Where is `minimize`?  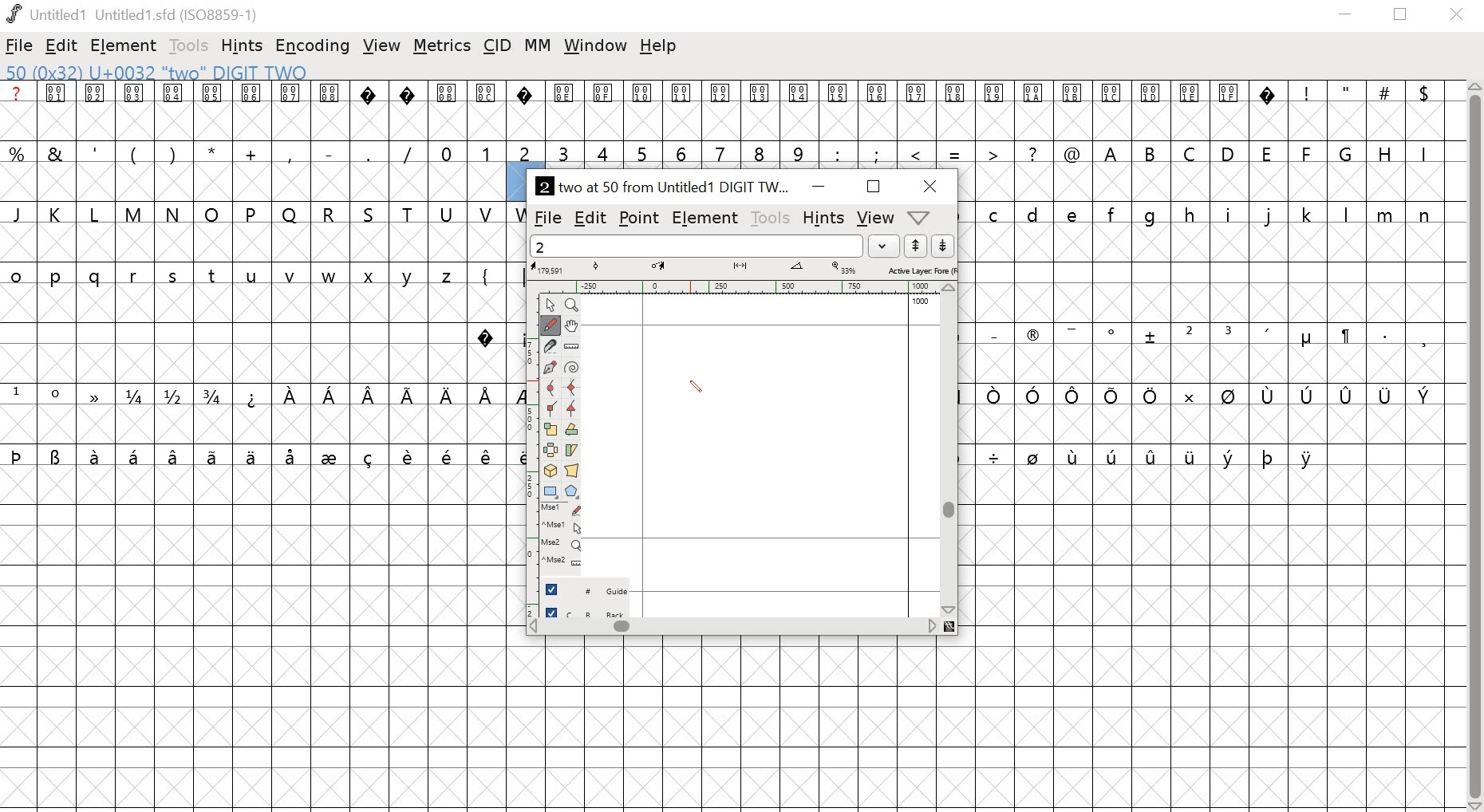
minimize is located at coordinates (819, 184).